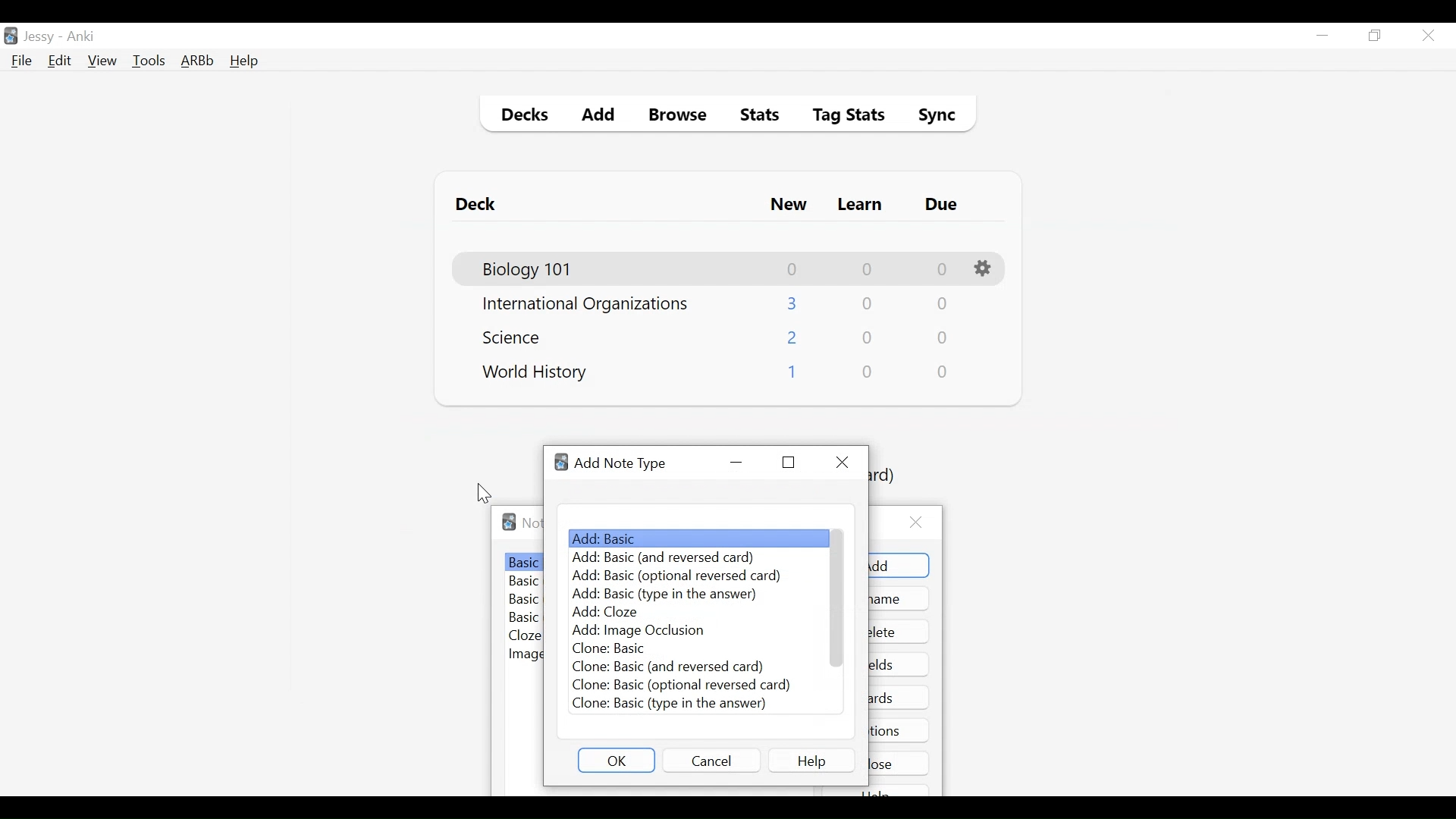 Image resolution: width=1456 pixels, height=819 pixels. What do you see at coordinates (682, 686) in the screenshot?
I see `Clone: Basic (optional reversed card)` at bounding box center [682, 686].